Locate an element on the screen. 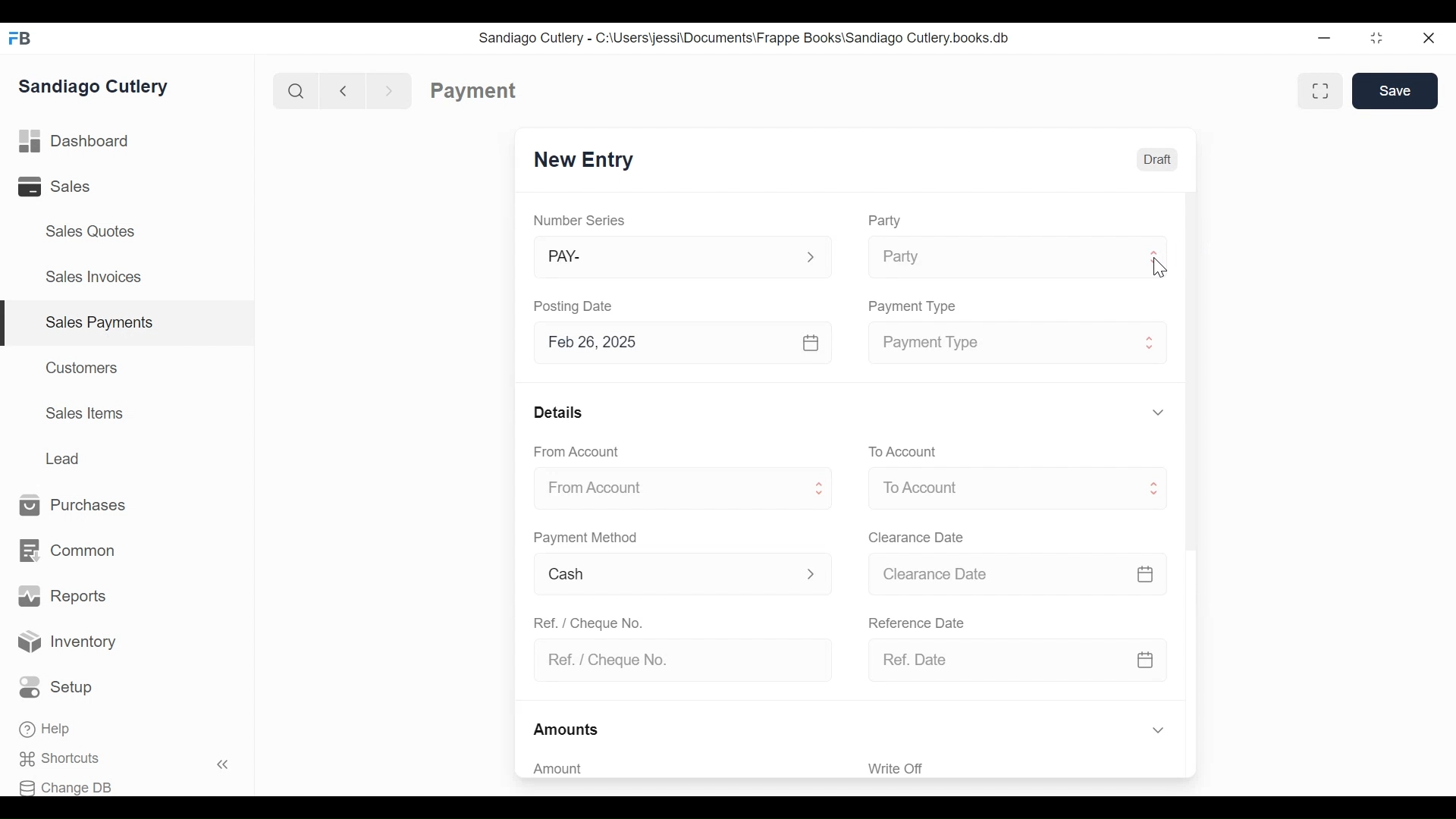 The height and width of the screenshot is (819, 1456). Frappe Books is located at coordinates (21, 38).